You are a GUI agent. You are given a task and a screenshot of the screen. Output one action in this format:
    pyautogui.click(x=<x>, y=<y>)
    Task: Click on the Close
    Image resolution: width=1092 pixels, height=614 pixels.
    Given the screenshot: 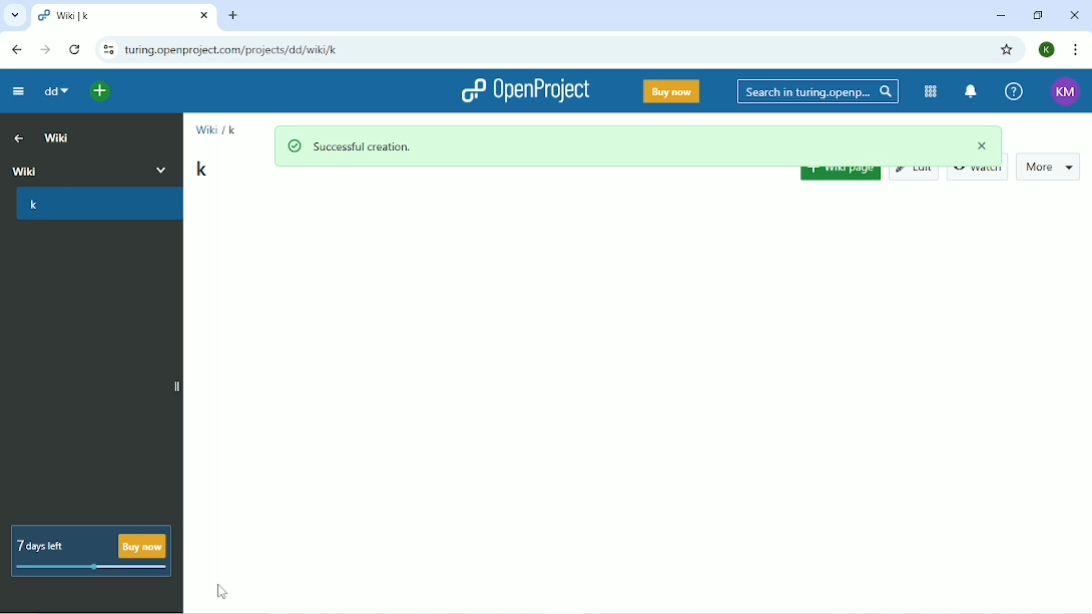 What is the action you would take?
    pyautogui.click(x=1074, y=17)
    